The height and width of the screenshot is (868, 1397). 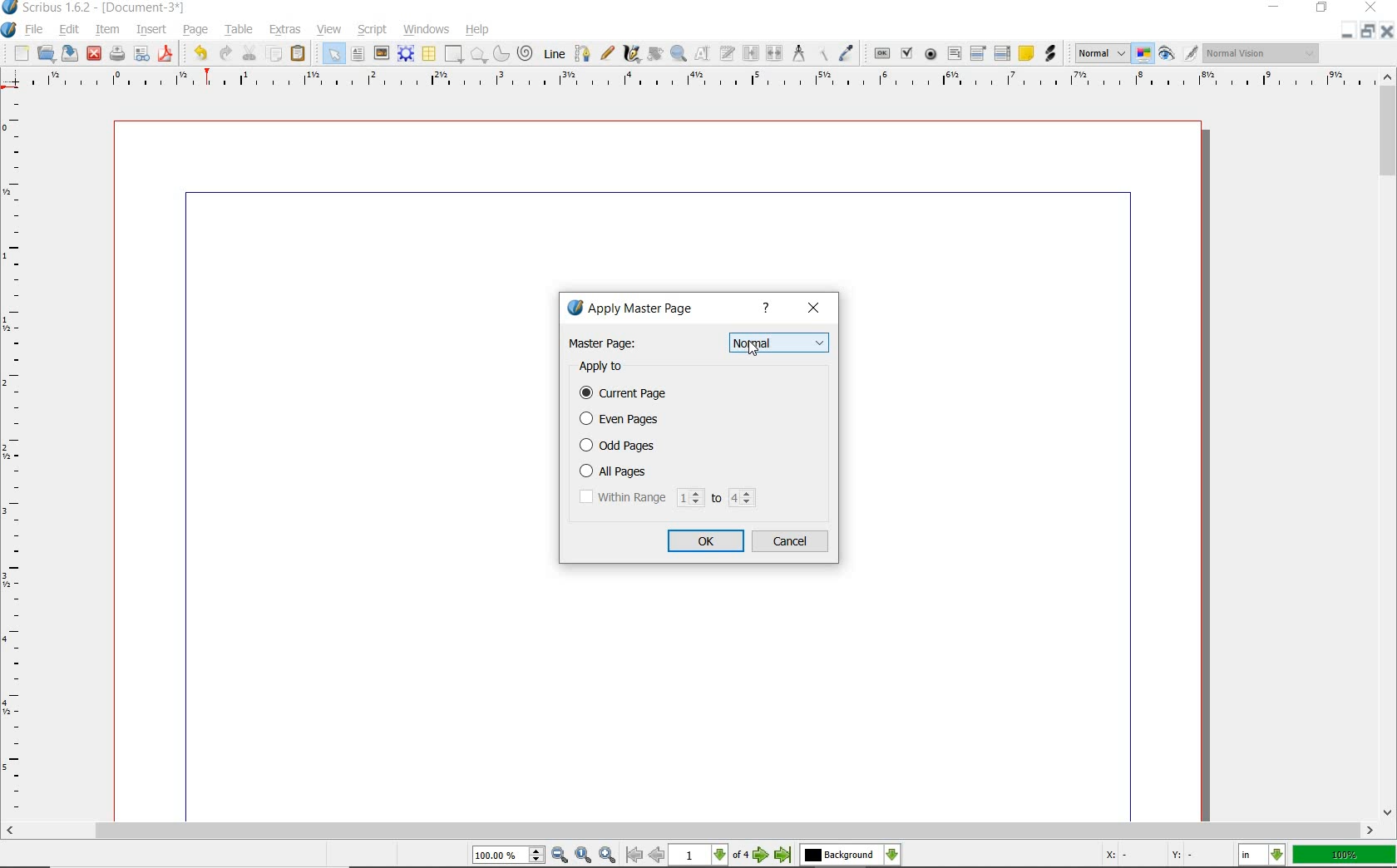 What do you see at coordinates (476, 30) in the screenshot?
I see `help` at bounding box center [476, 30].